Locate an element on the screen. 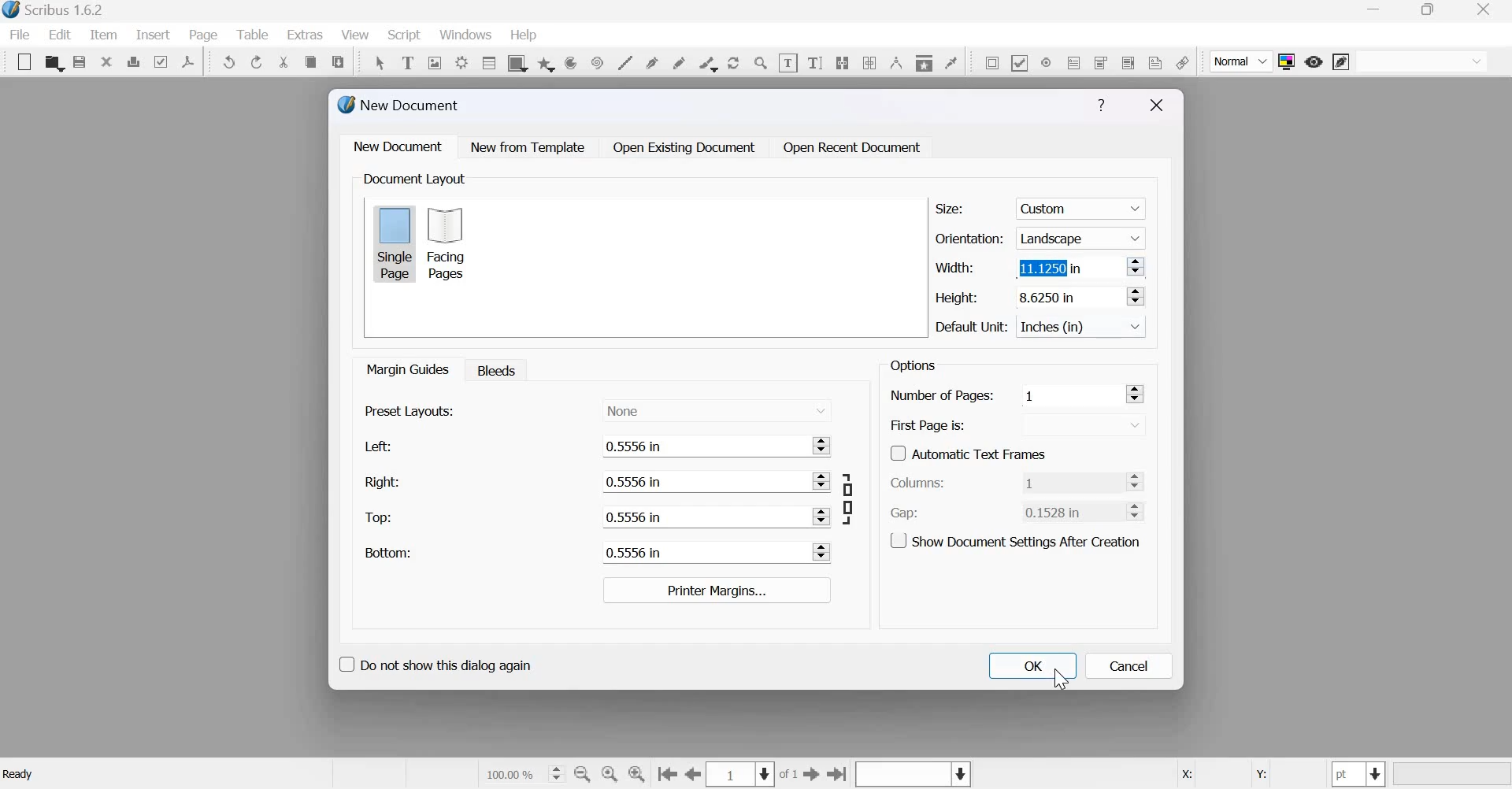 The height and width of the screenshot is (789, 1512). 8.6250 in is located at coordinates (1065, 295).